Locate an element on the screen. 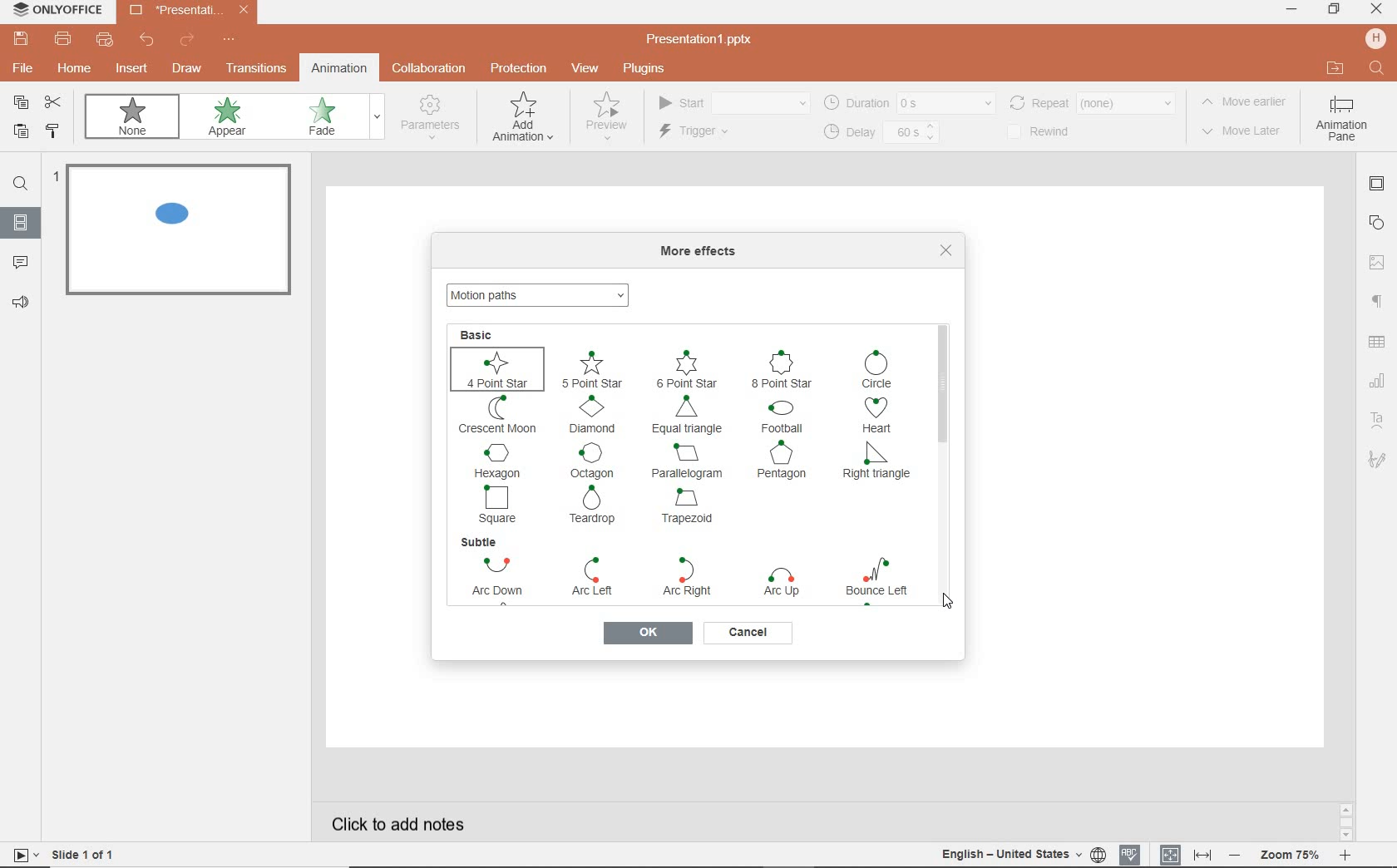 This screenshot has height=868, width=1397. slide is located at coordinates (21, 224).